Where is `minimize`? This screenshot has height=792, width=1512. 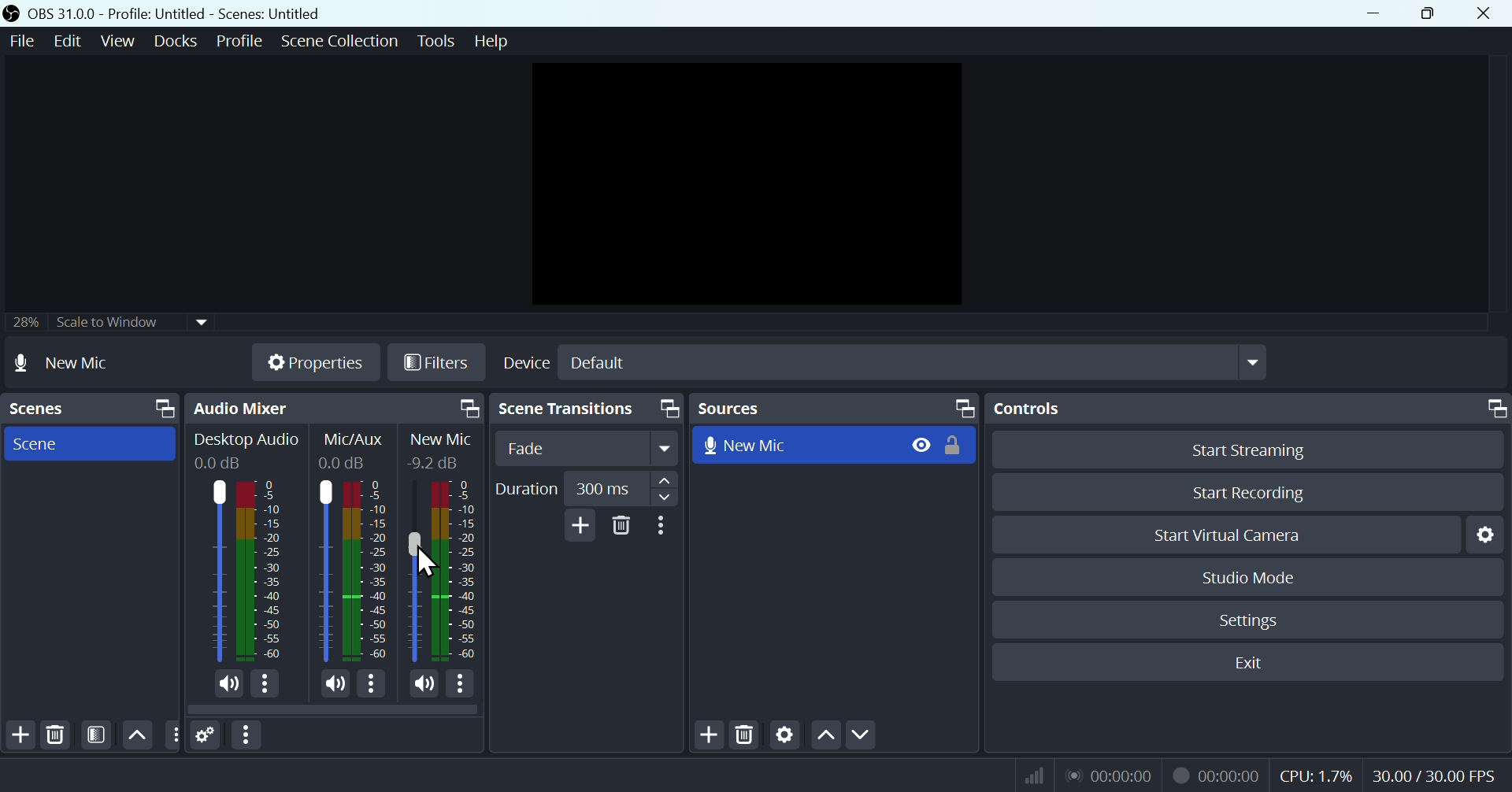
minimize is located at coordinates (1379, 13).